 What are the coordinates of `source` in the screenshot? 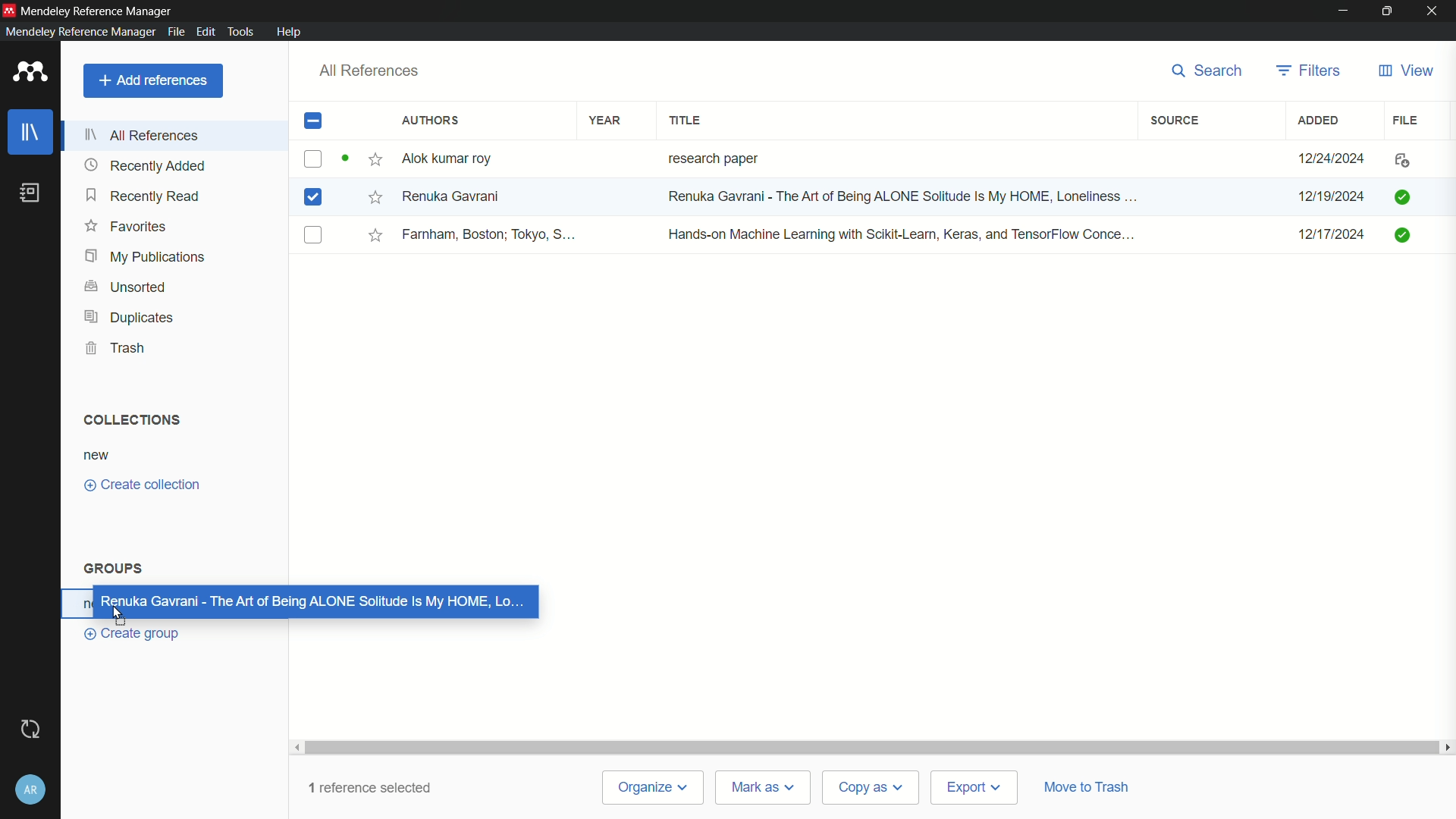 It's located at (1174, 121).